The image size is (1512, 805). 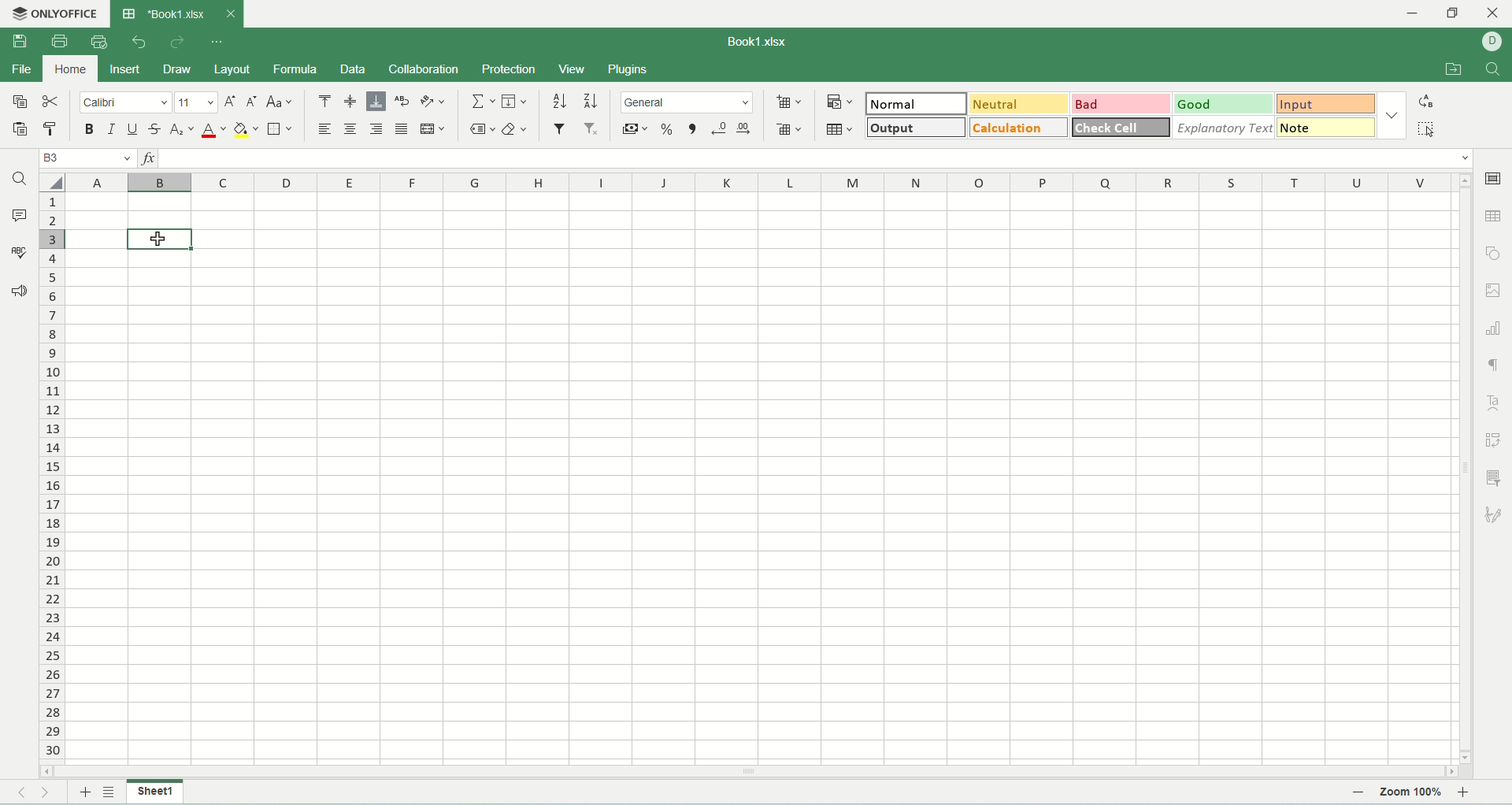 What do you see at coordinates (251, 102) in the screenshot?
I see `decrease font size` at bounding box center [251, 102].